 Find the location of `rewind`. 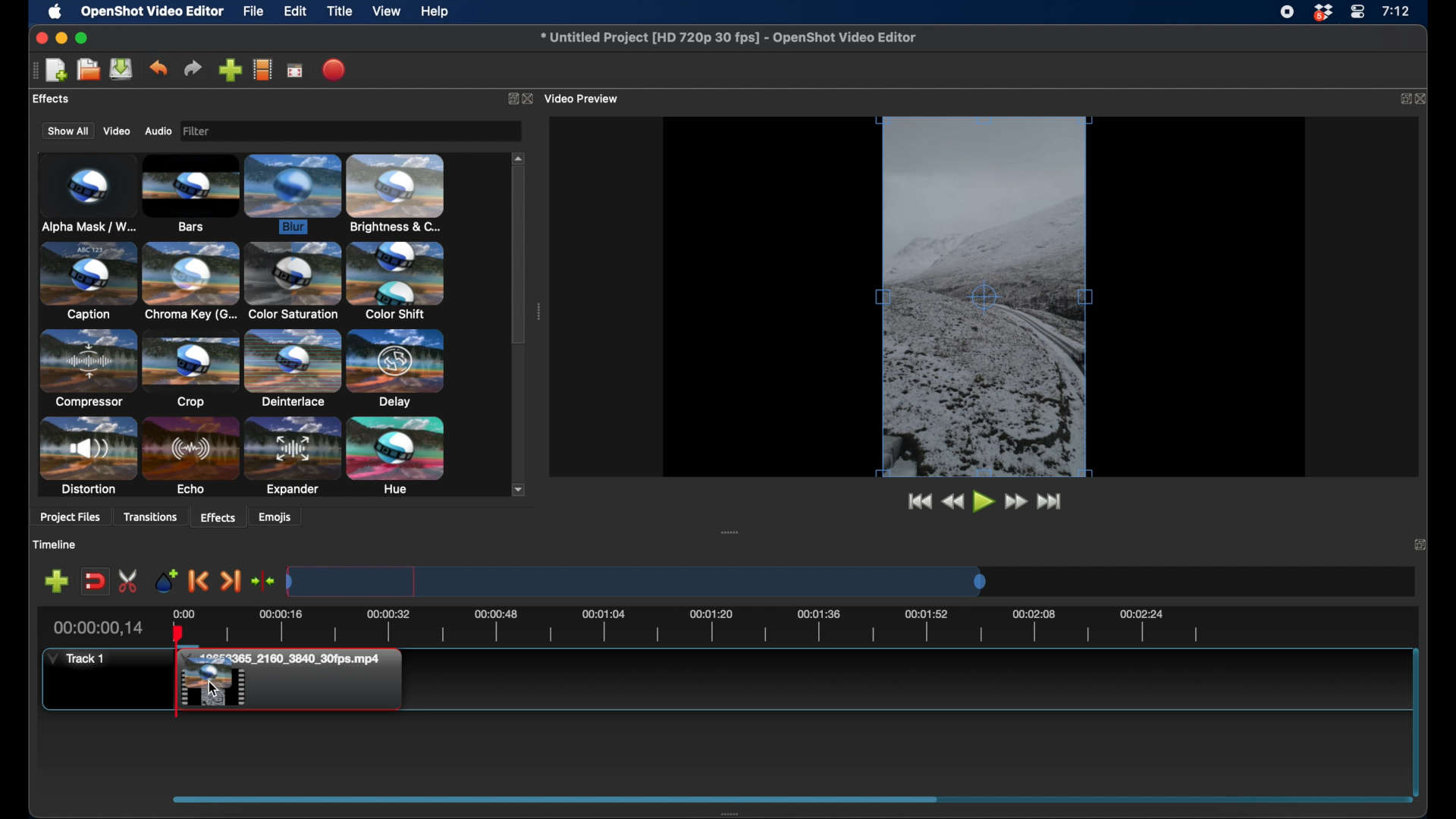

rewind is located at coordinates (954, 503).